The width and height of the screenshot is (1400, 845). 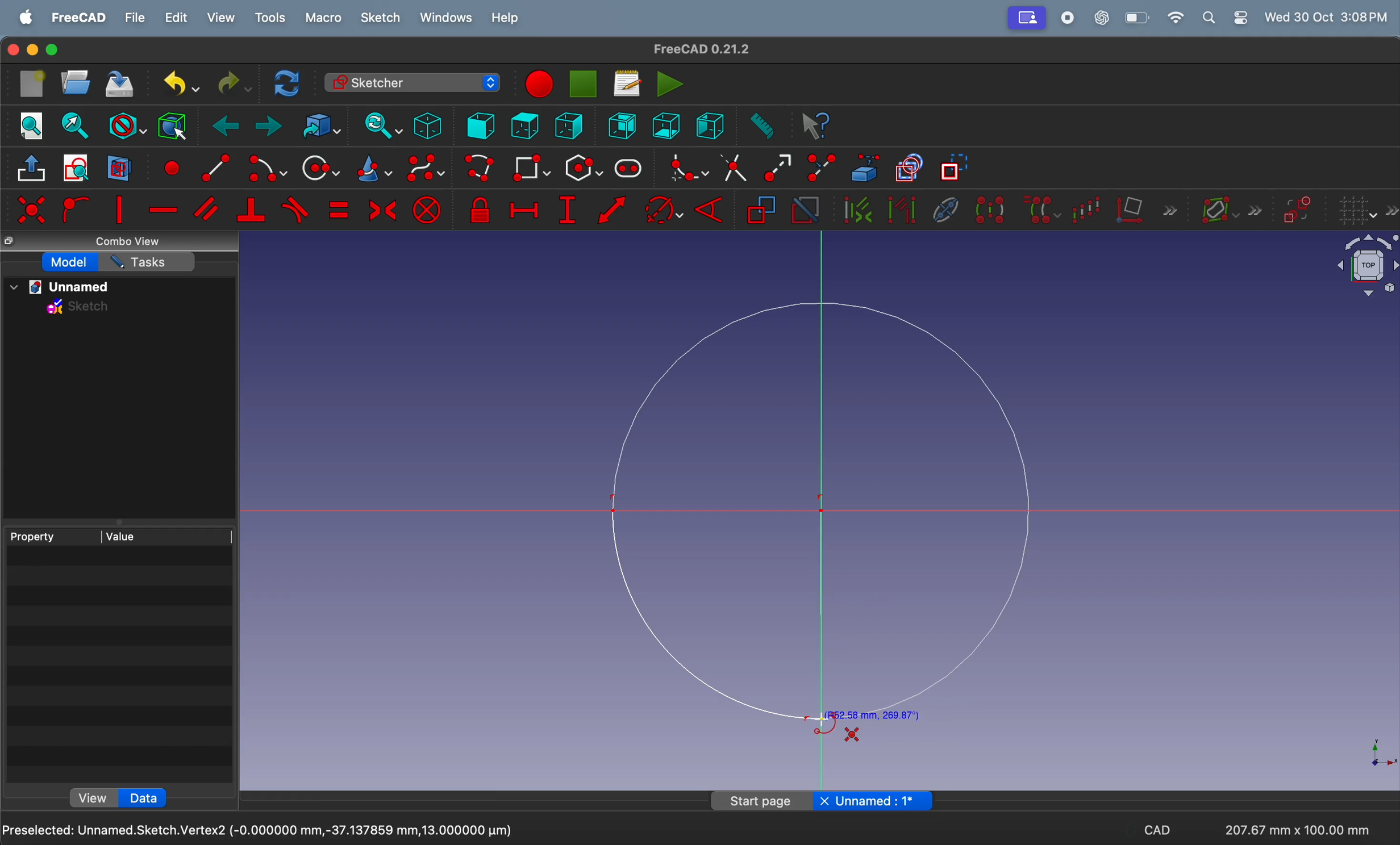 I want to click on constrain horrizontal, so click(x=164, y=210).